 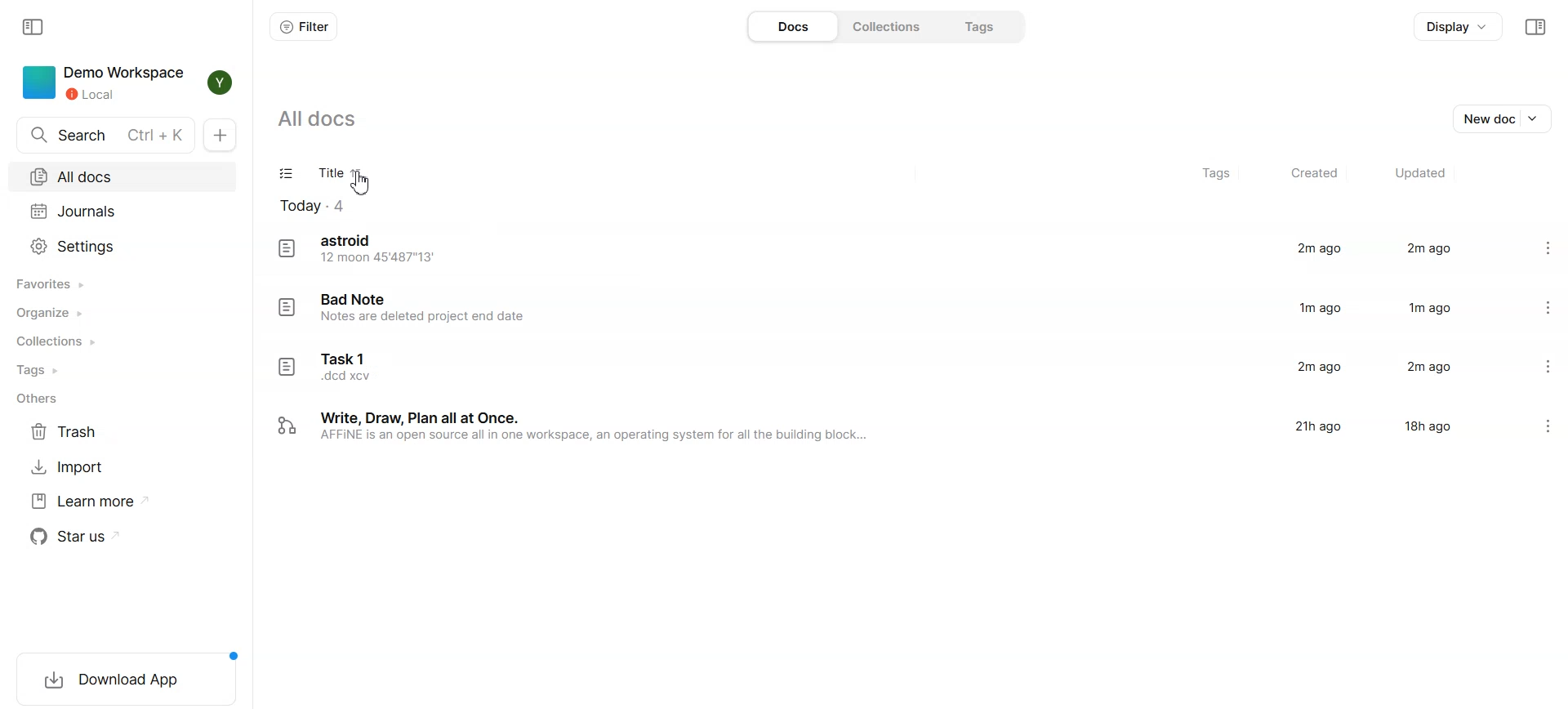 What do you see at coordinates (357, 299) in the screenshot?
I see `Bad Note` at bounding box center [357, 299].